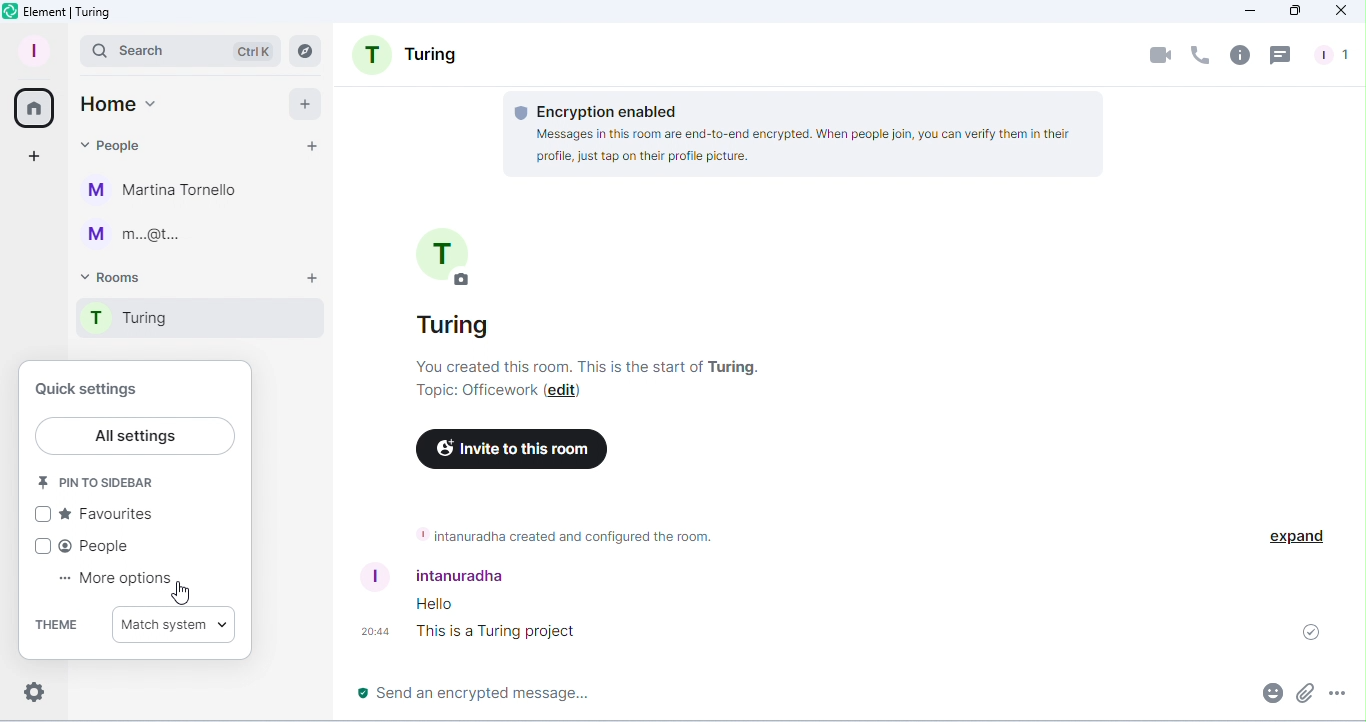  What do you see at coordinates (1333, 58) in the screenshot?
I see `People` at bounding box center [1333, 58].